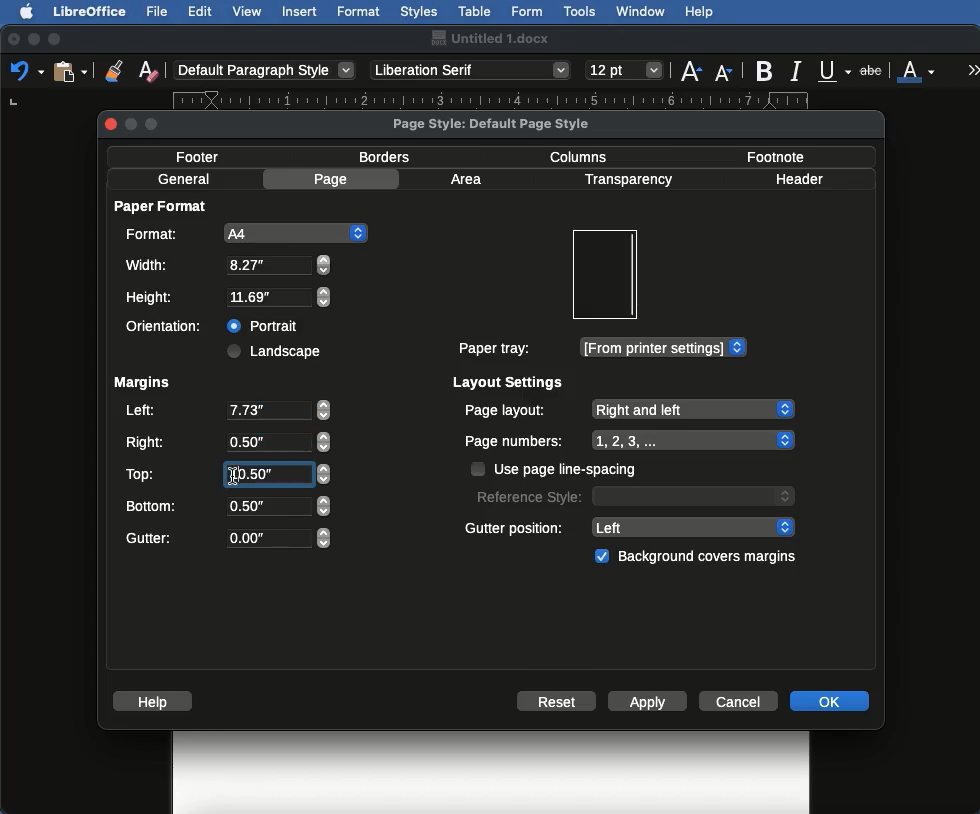 The height and width of the screenshot is (814, 980). What do you see at coordinates (584, 155) in the screenshot?
I see `Columns` at bounding box center [584, 155].